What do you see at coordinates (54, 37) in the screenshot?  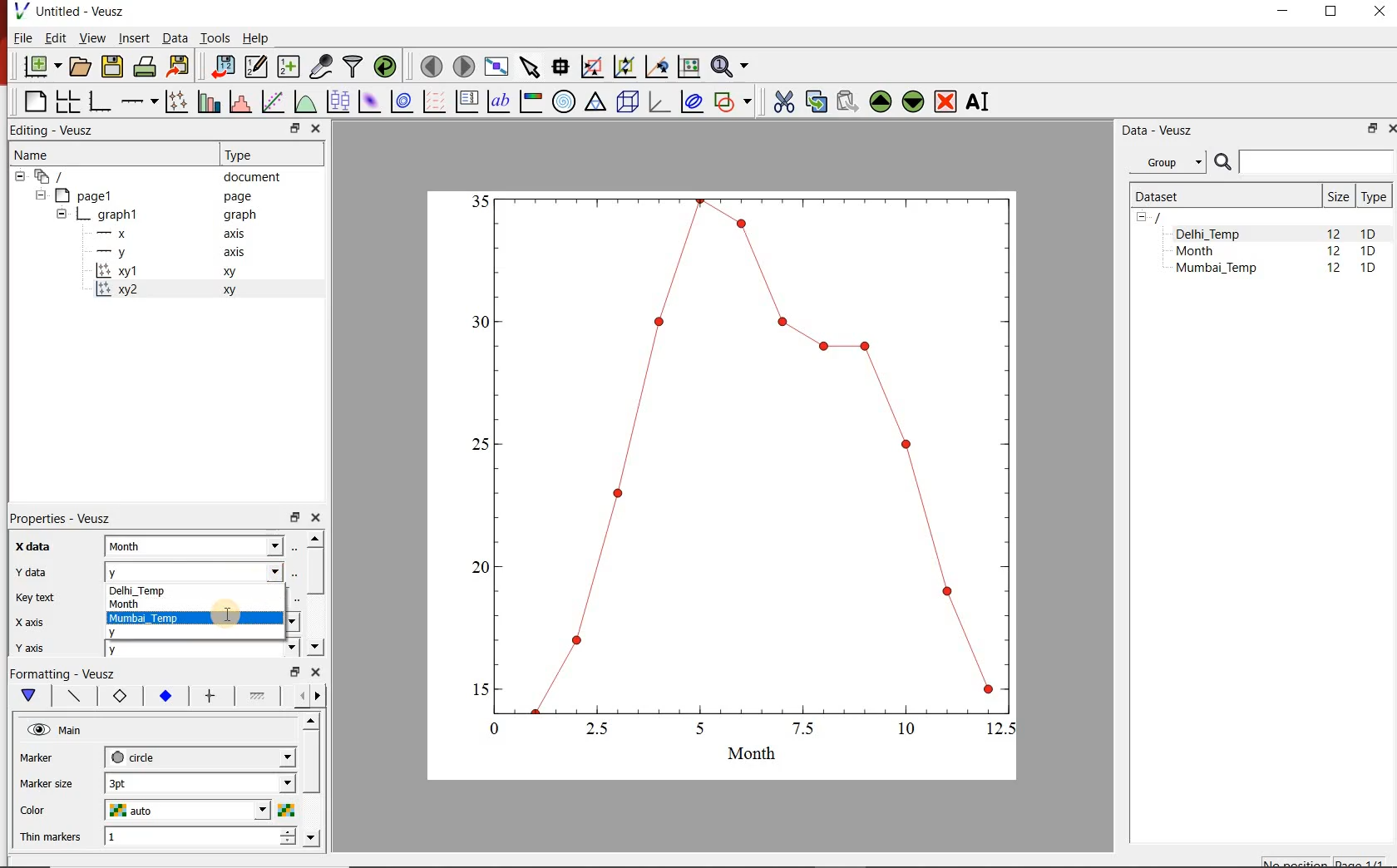 I see `Edit` at bounding box center [54, 37].